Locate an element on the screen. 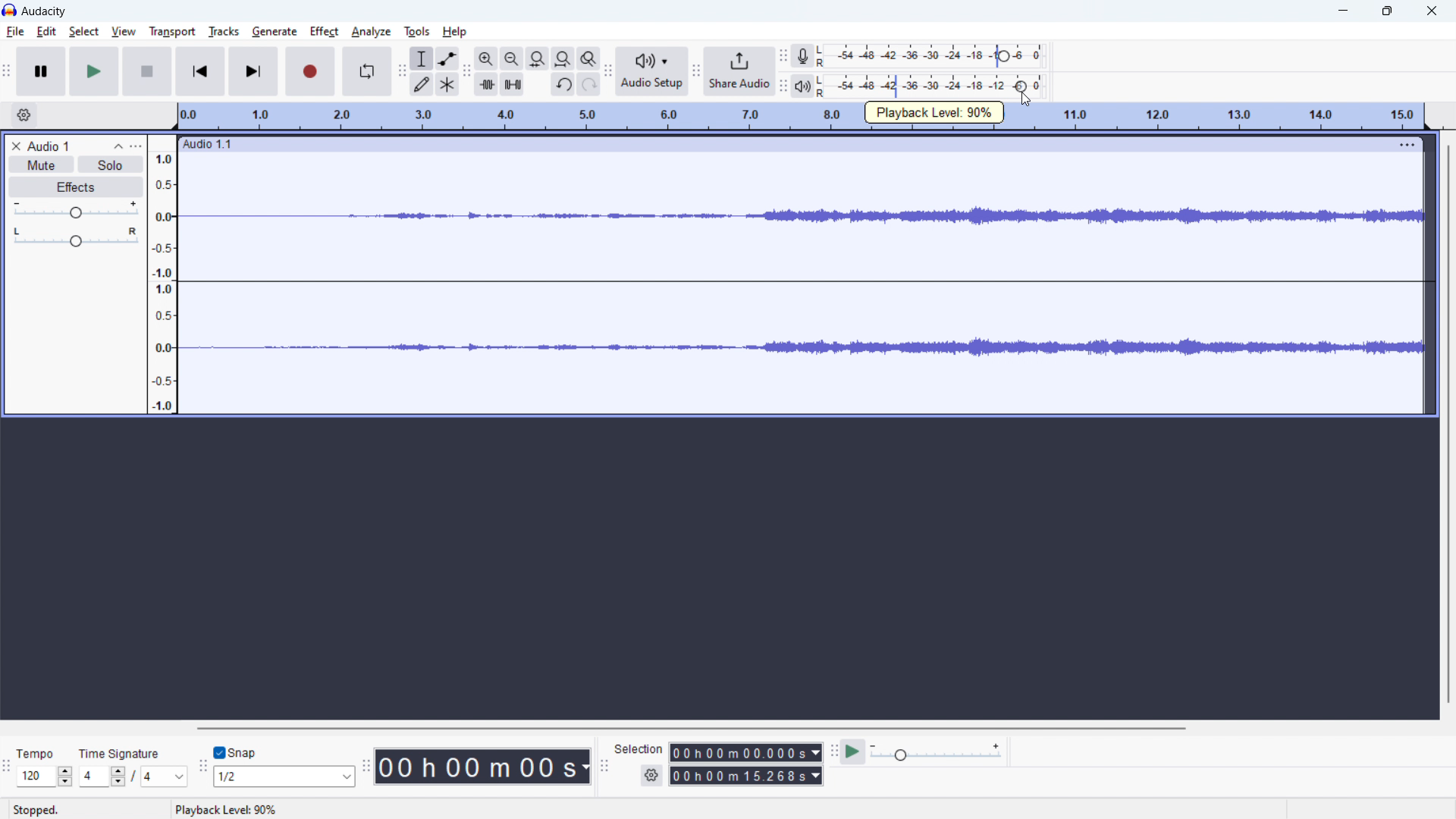  skip to start is located at coordinates (198, 71).